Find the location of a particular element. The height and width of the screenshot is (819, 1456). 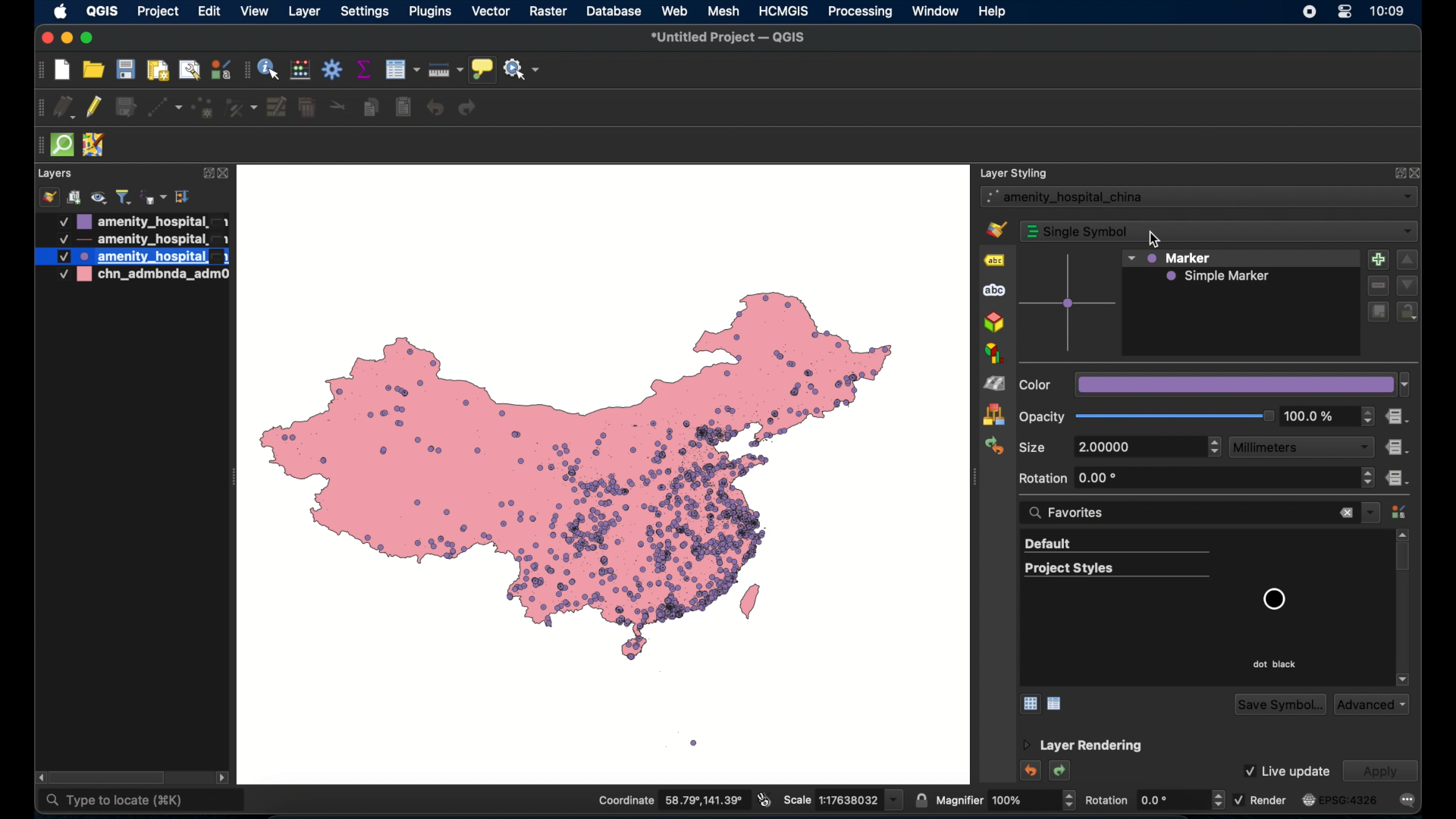

close is located at coordinates (1346, 514).